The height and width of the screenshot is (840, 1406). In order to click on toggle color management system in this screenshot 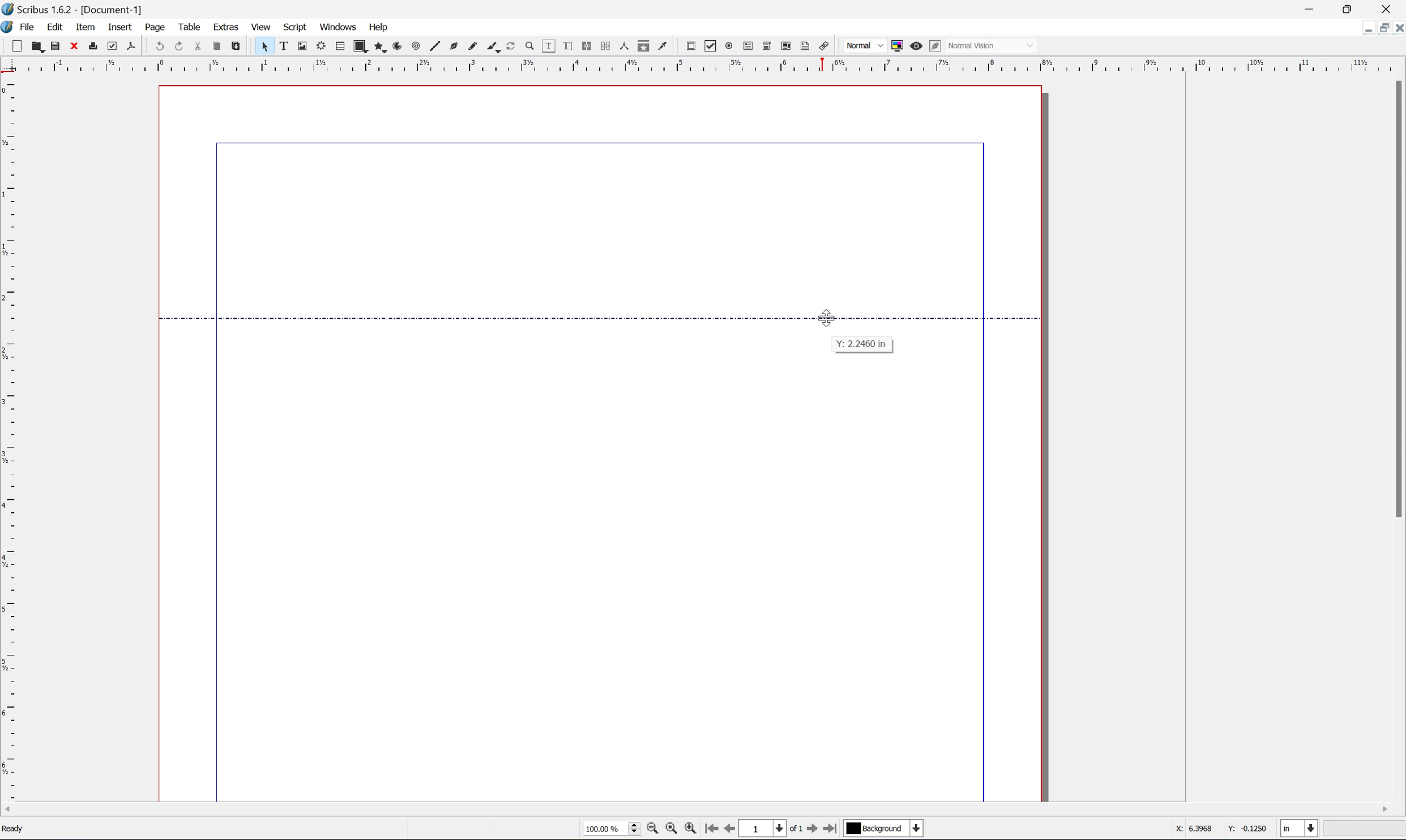, I will do `click(897, 45)`.